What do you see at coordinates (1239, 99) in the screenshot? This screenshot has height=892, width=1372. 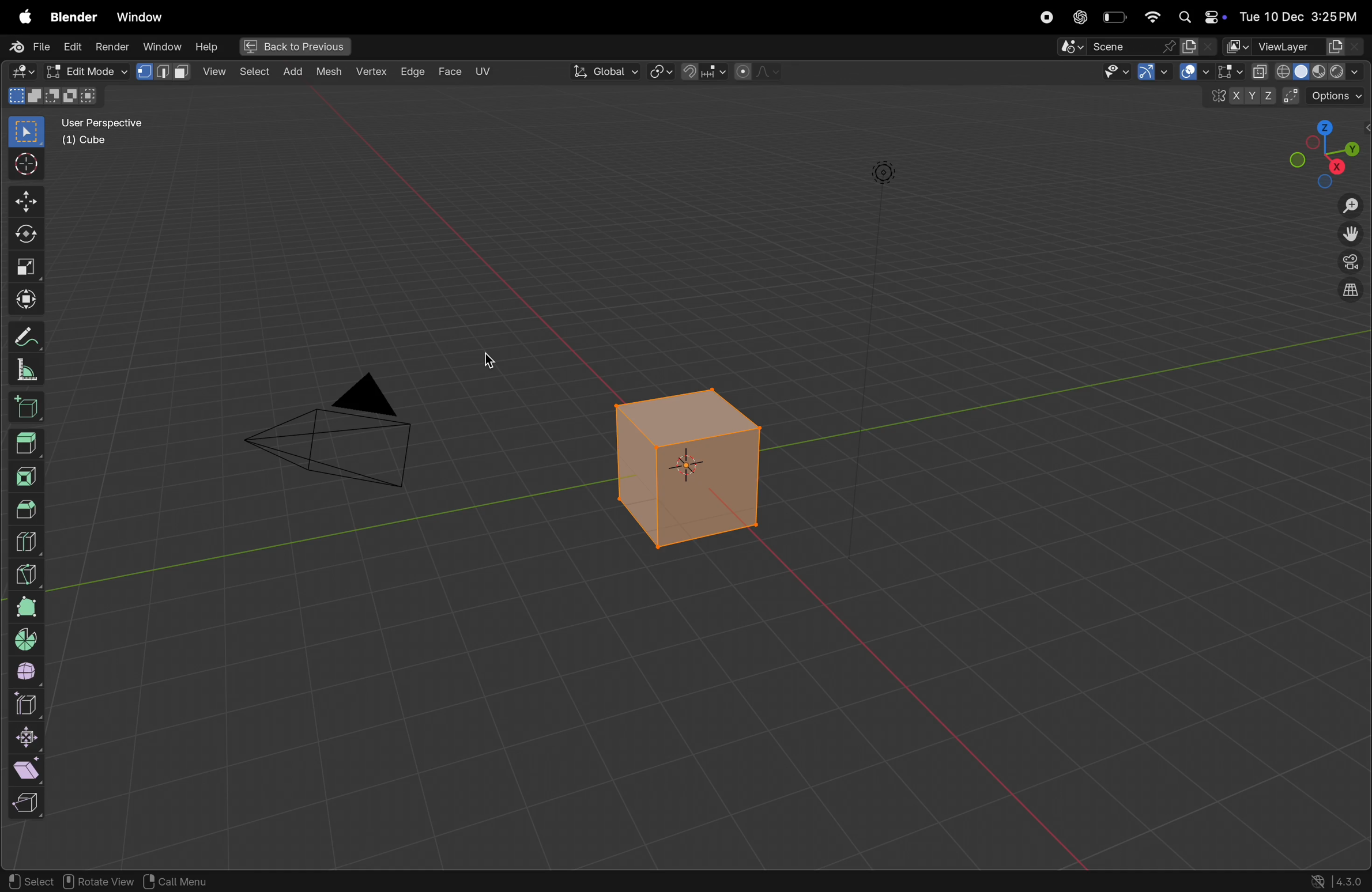 I see `x y z` at bounding box center [1239, 99].